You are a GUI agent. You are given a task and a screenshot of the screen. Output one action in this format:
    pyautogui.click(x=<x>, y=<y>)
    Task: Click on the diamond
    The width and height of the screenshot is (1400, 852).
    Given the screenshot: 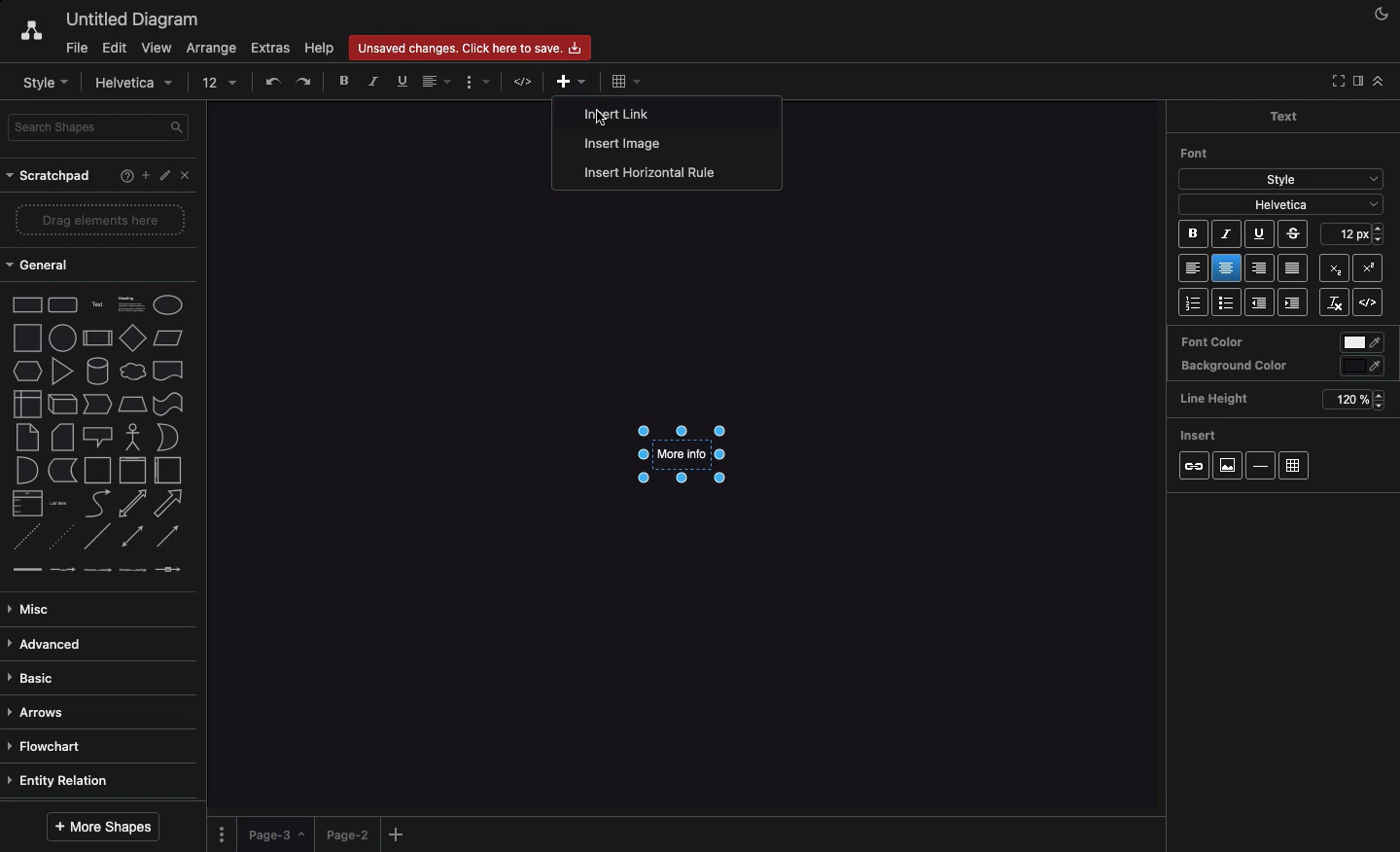 What is the action you would take?
    pyautogui.click(x=133, y=337)
    